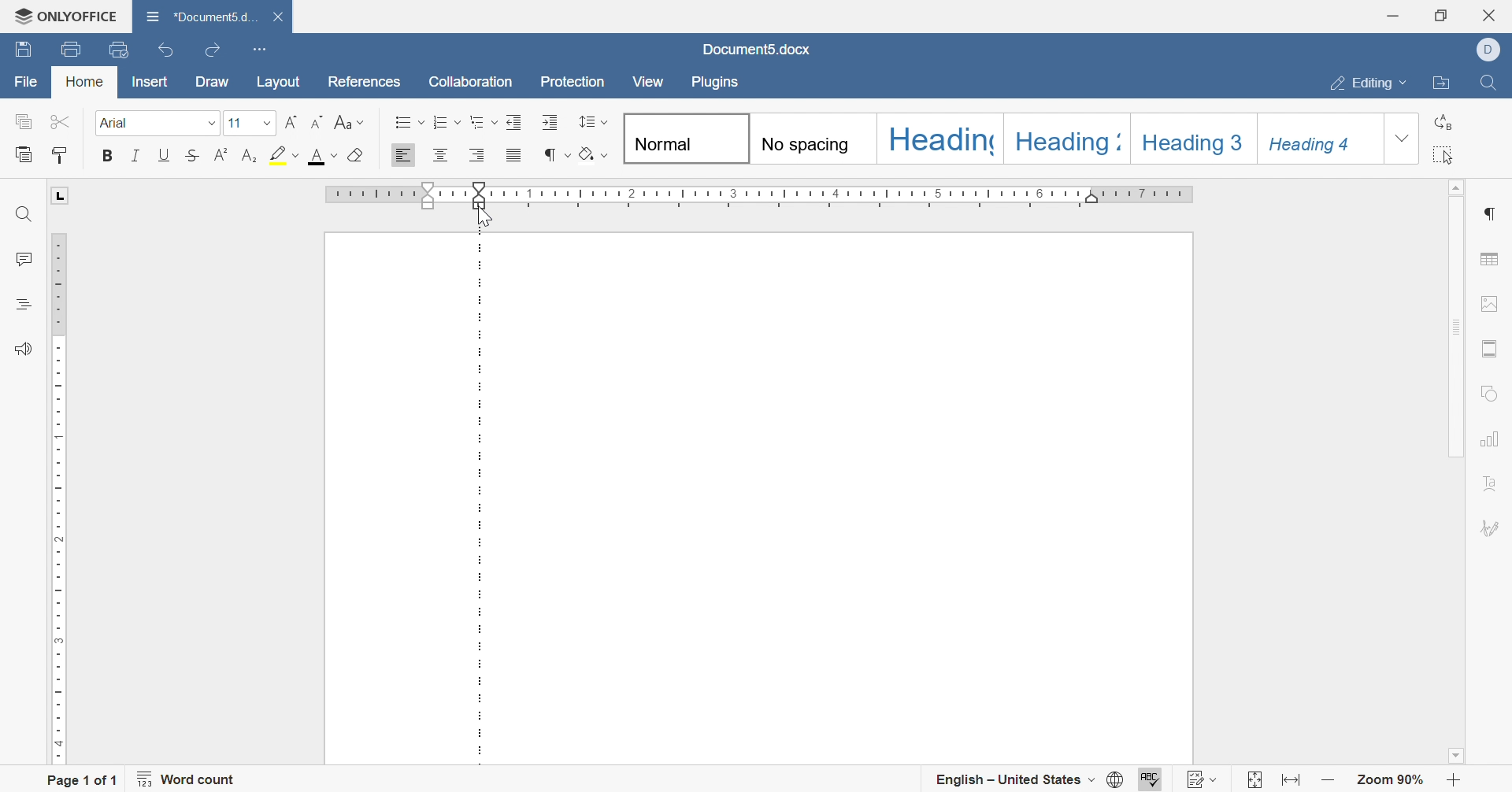 This screenshot has height=792, width=1512. What do you see at coordinates (572, 81) in the screenshot?
I see `protection` at bounding box center [572, 81].